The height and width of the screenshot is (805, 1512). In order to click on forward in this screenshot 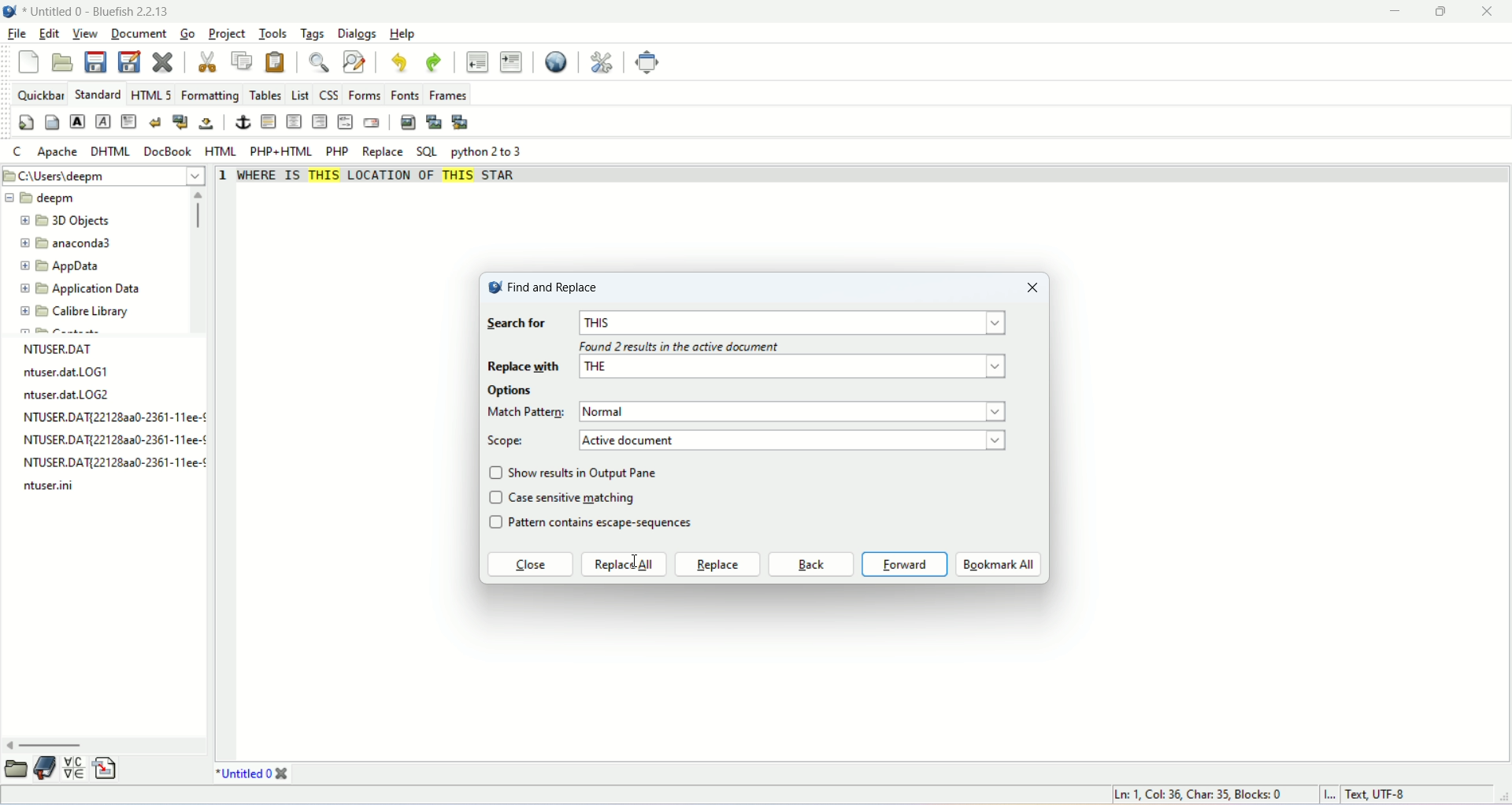, I will do `click(905, 564)`.